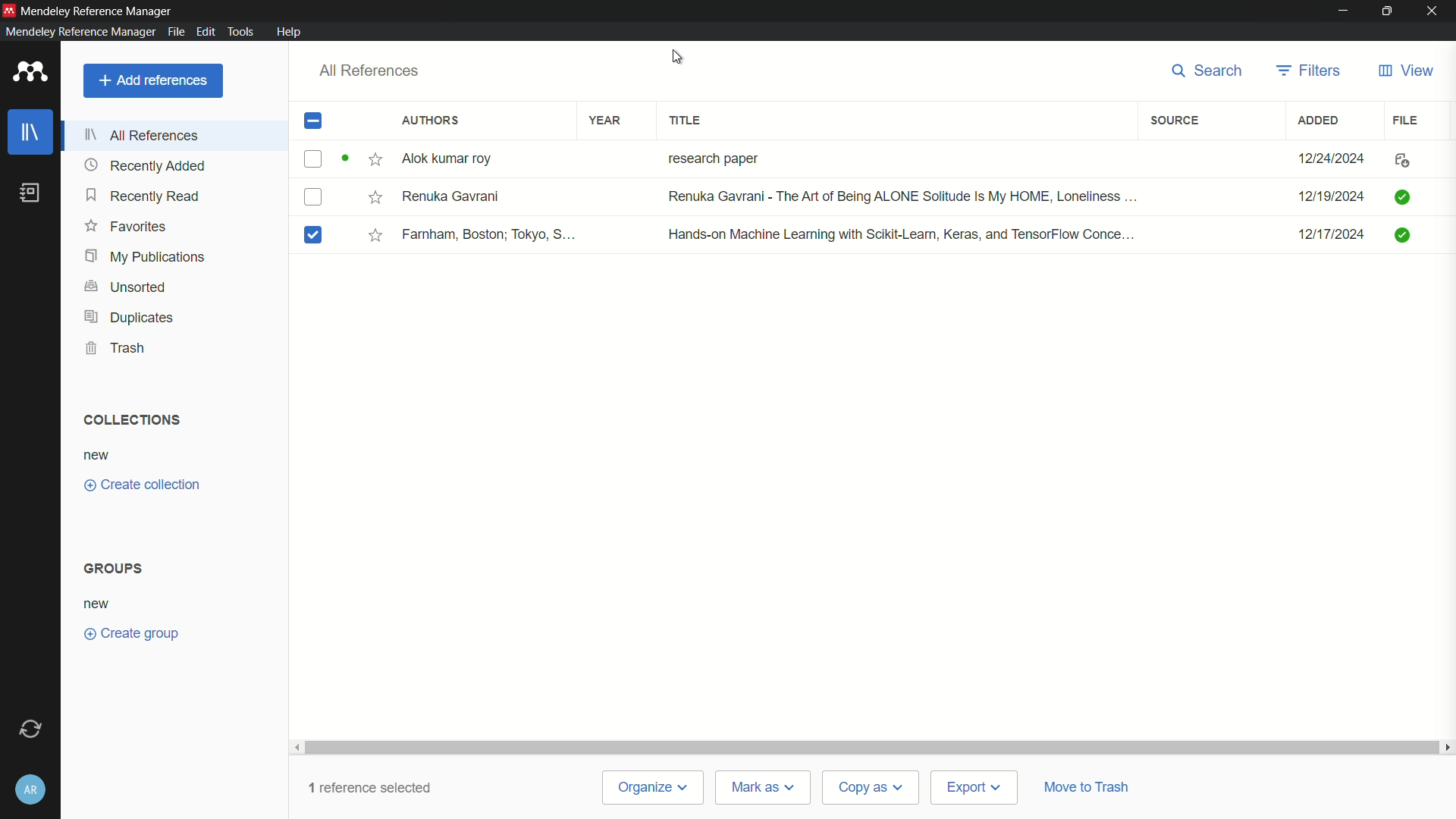 The height and width of the screenshot is (819, 1456). Describe the element at coordinates (1401, 197) in the screenshot. I see `icon` at that location.